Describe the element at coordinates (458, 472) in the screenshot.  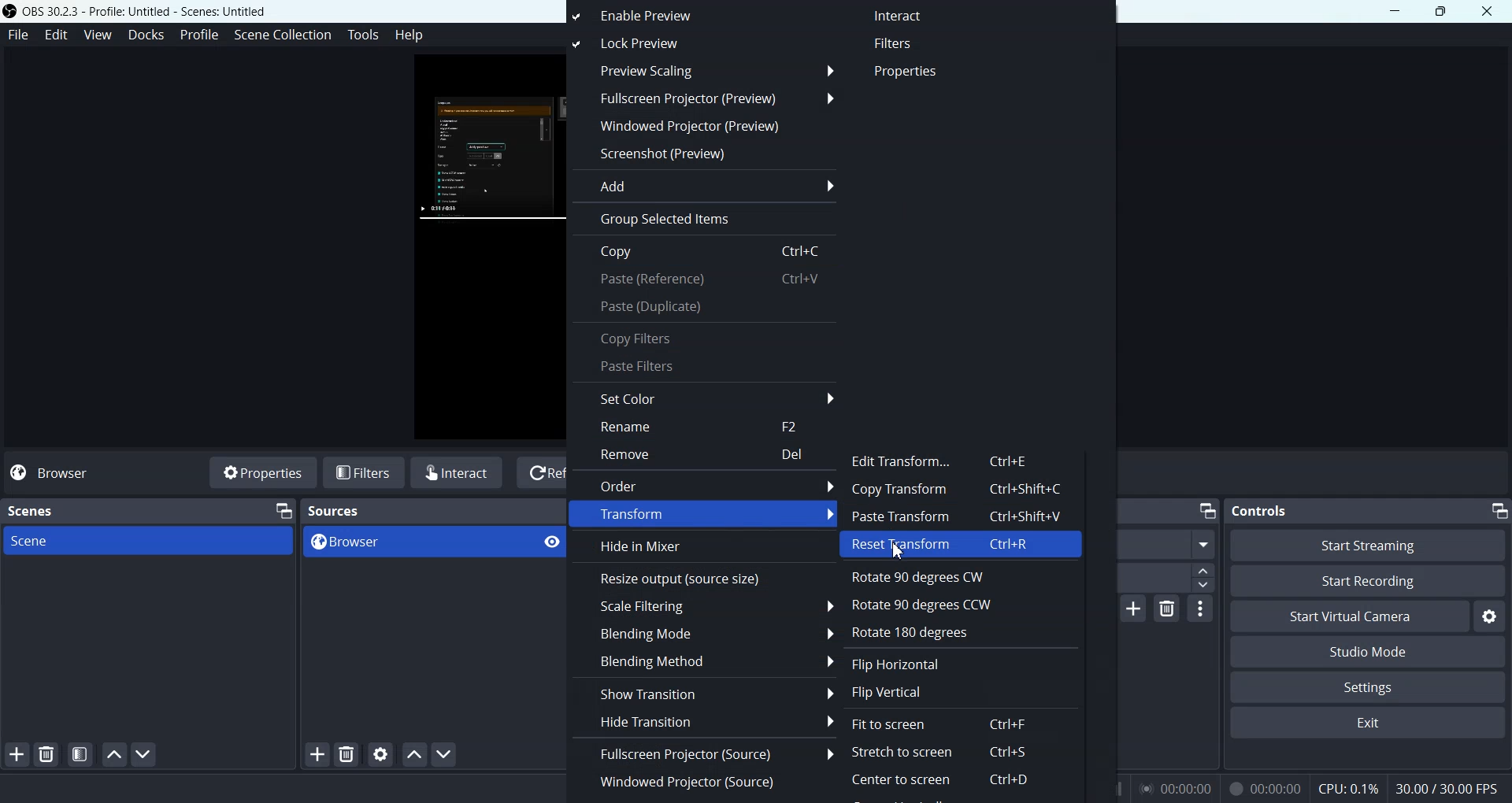
I see `Interact` at that location.